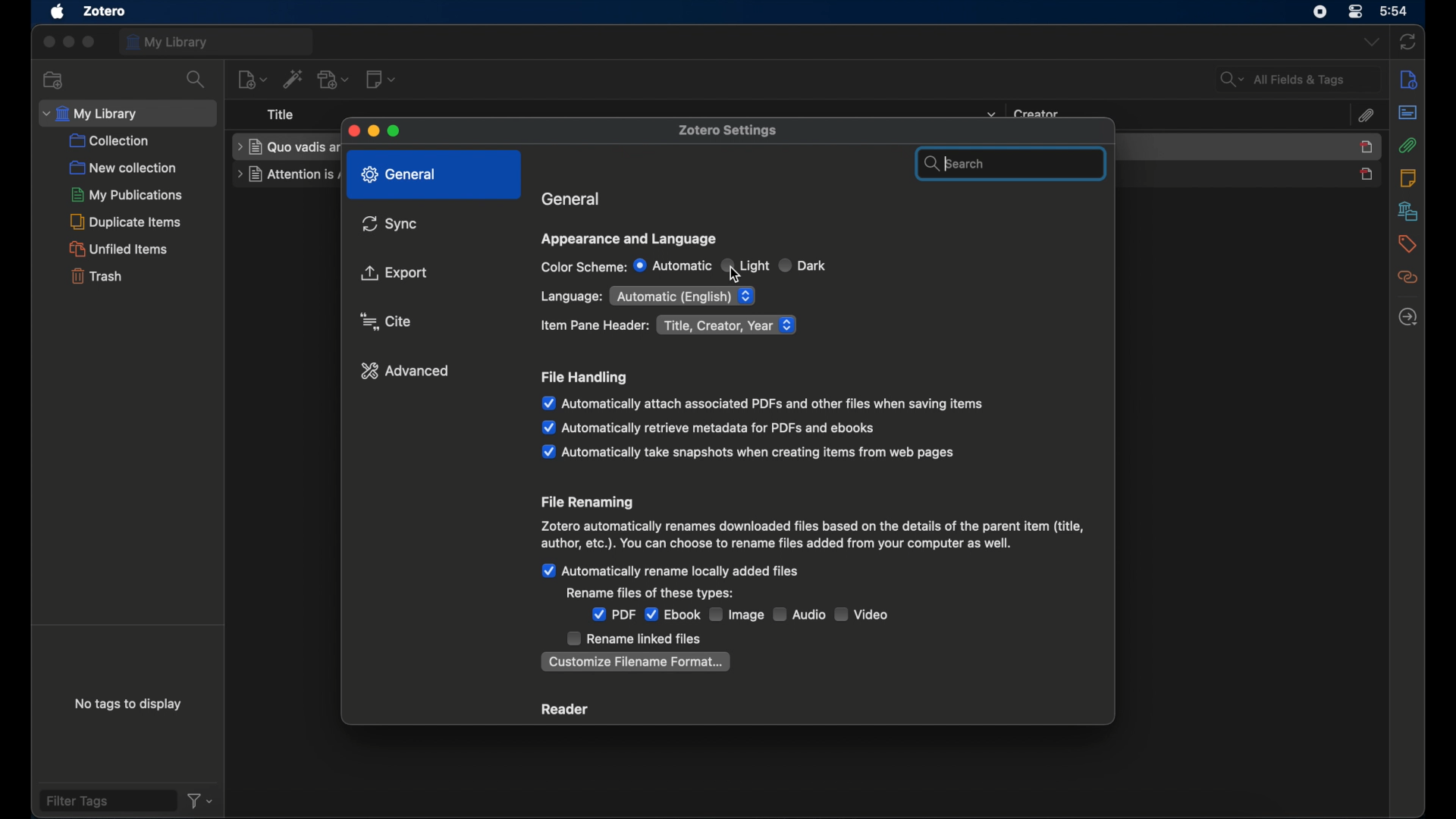  I want to click on rename files of these types, so click(651, 593).